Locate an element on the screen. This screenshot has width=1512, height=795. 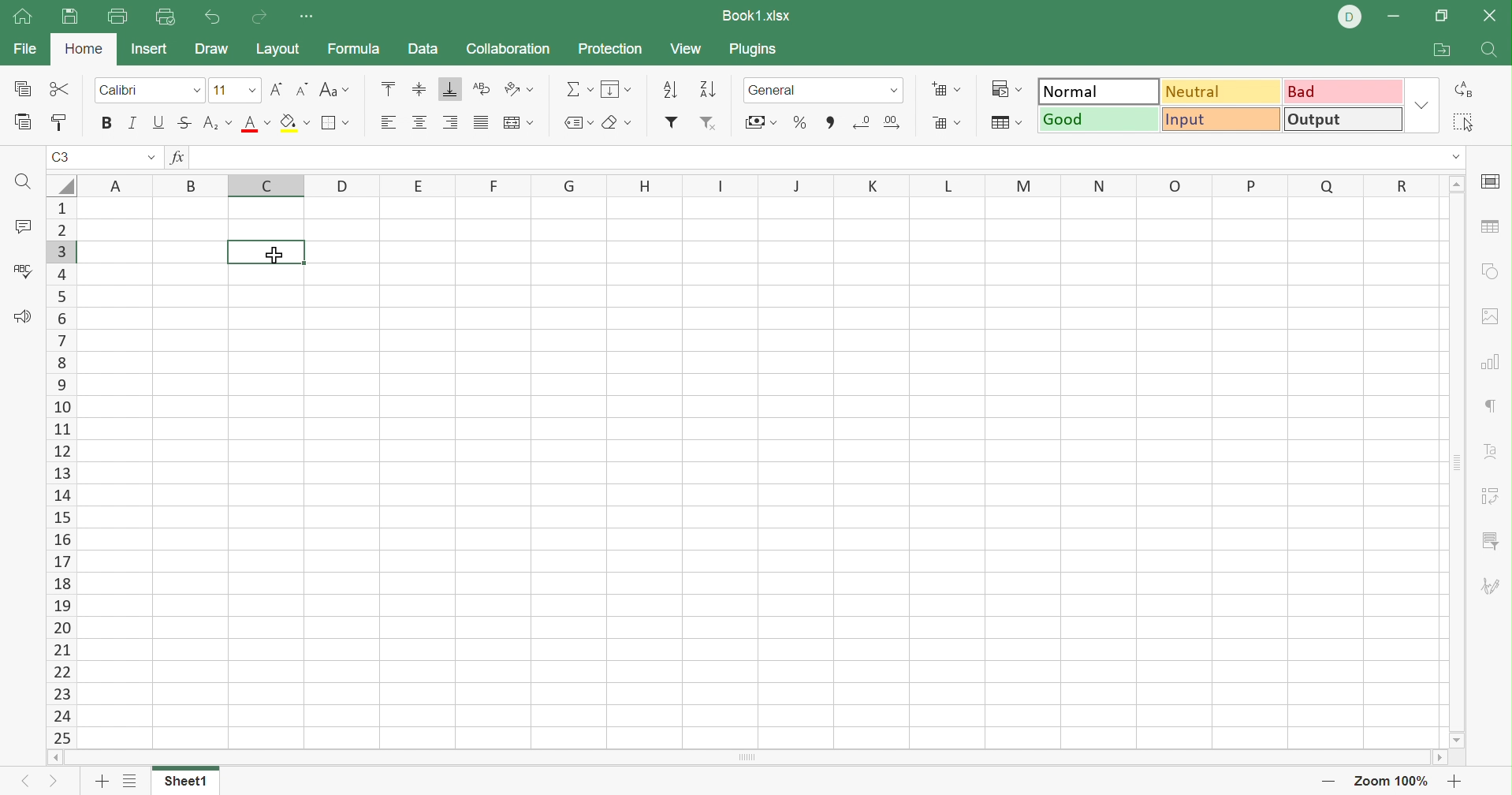
Home is located at coordinates (22, 17).